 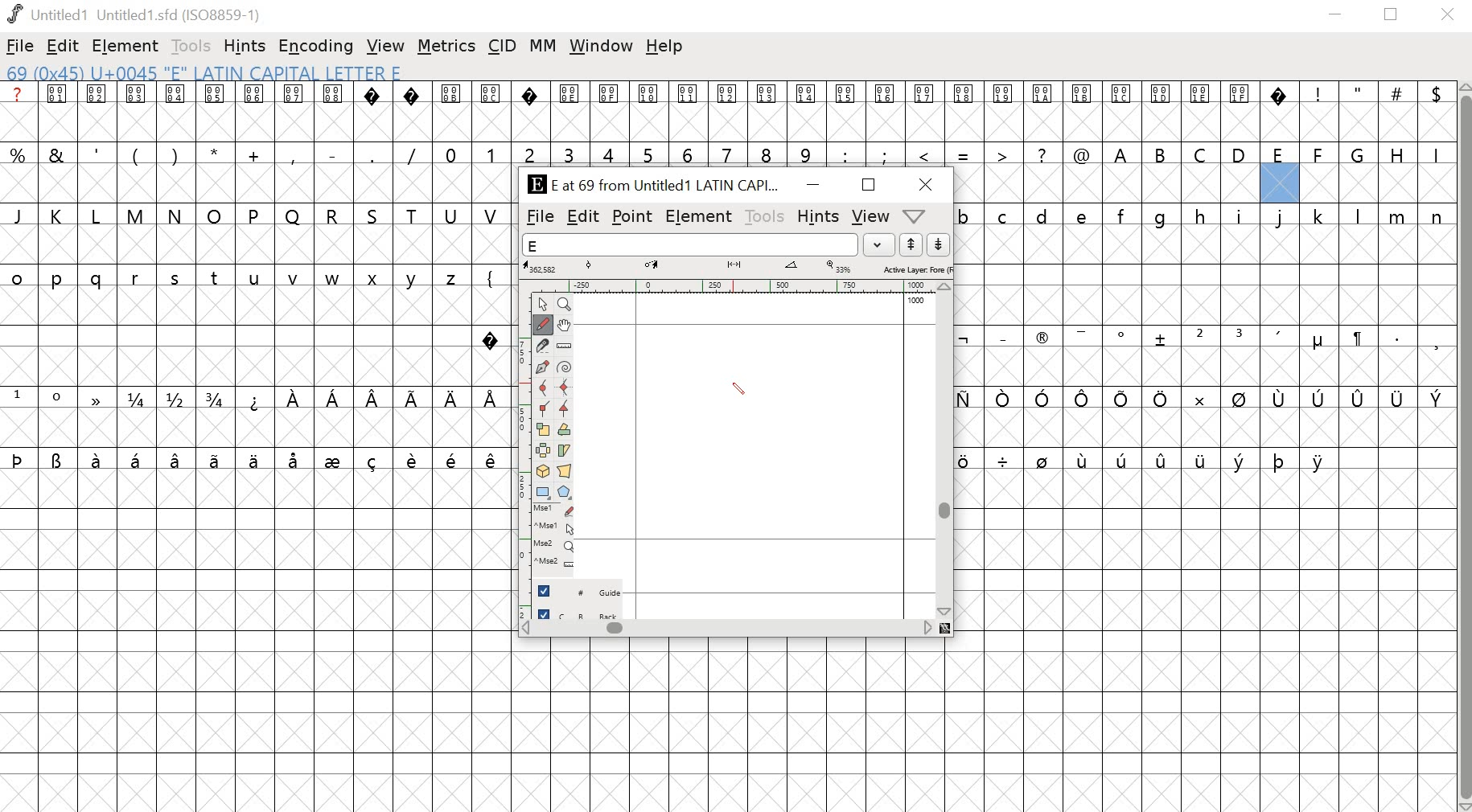 I want to click on PEN, so click(x=742, y=391).